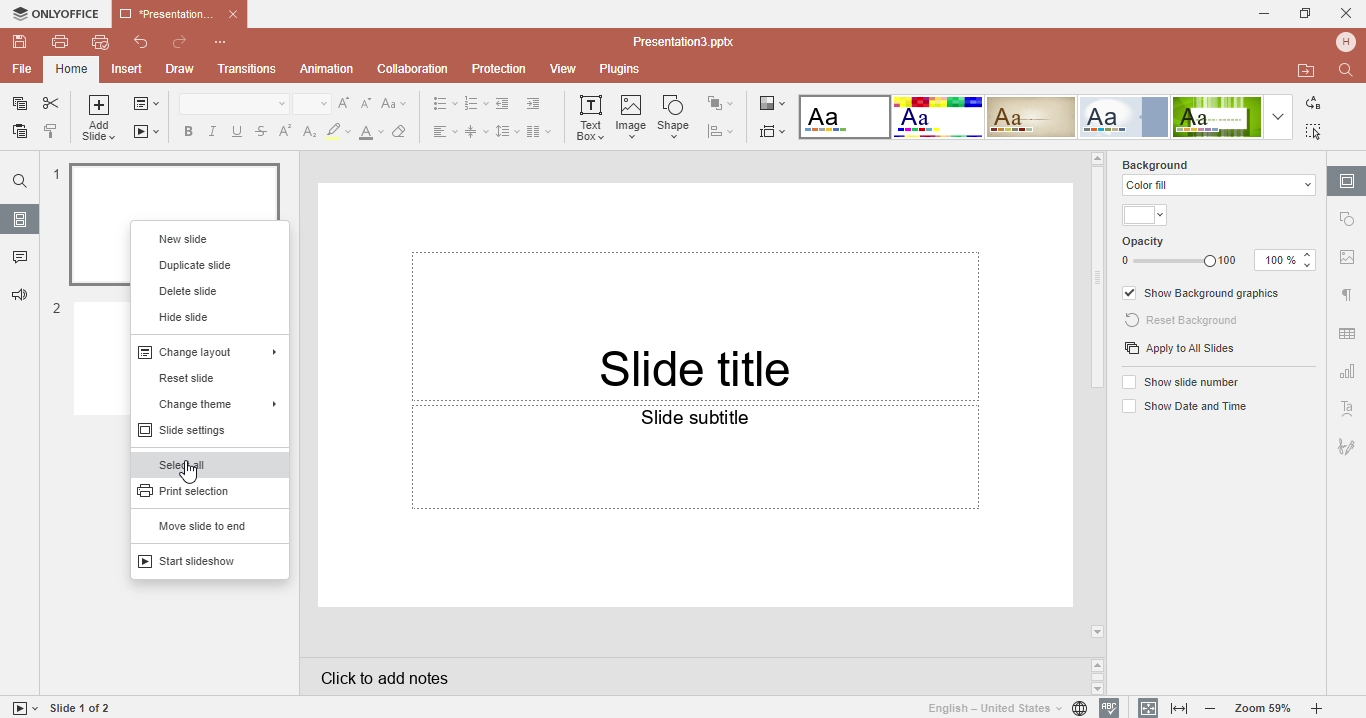 The height and width of the screenshot is (718, 1366). Describe the element at coordinates (398, 103) in the screenshot. I see `Change case` at that location.